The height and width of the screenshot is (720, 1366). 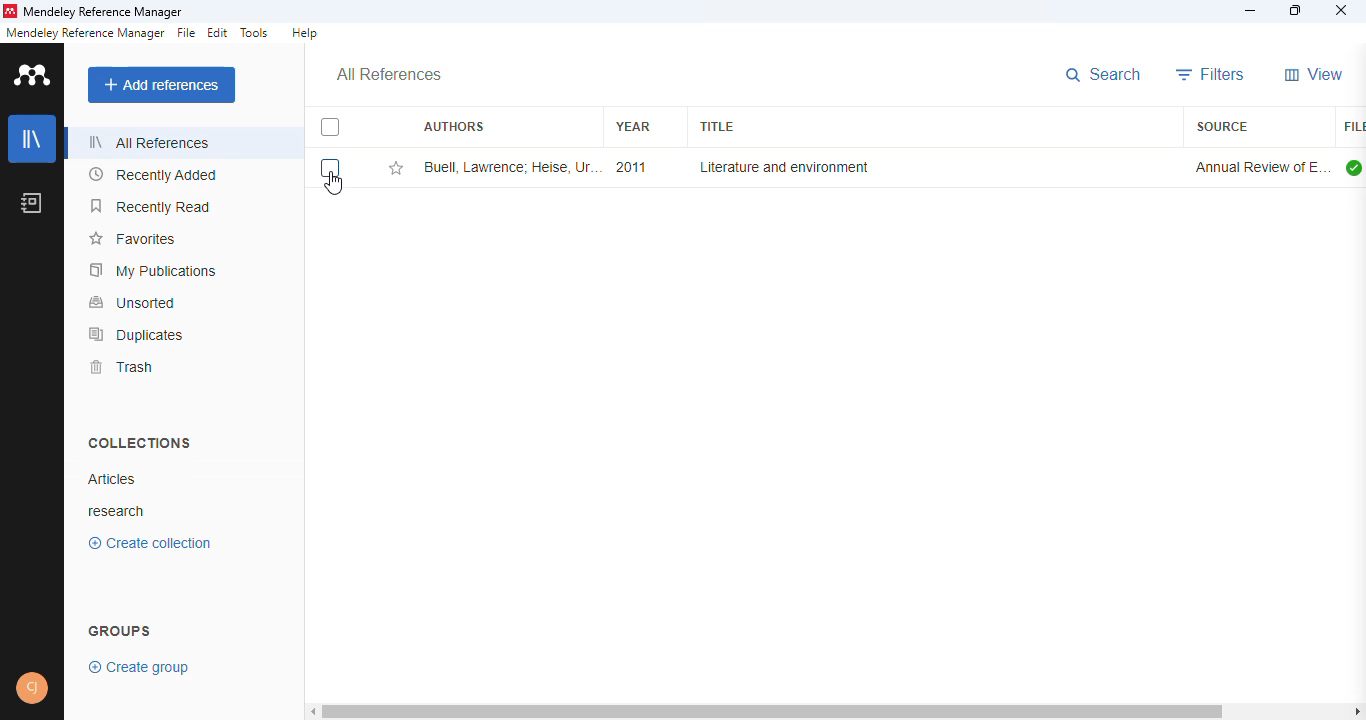 I want to click on select, so click(x=330, y=168).